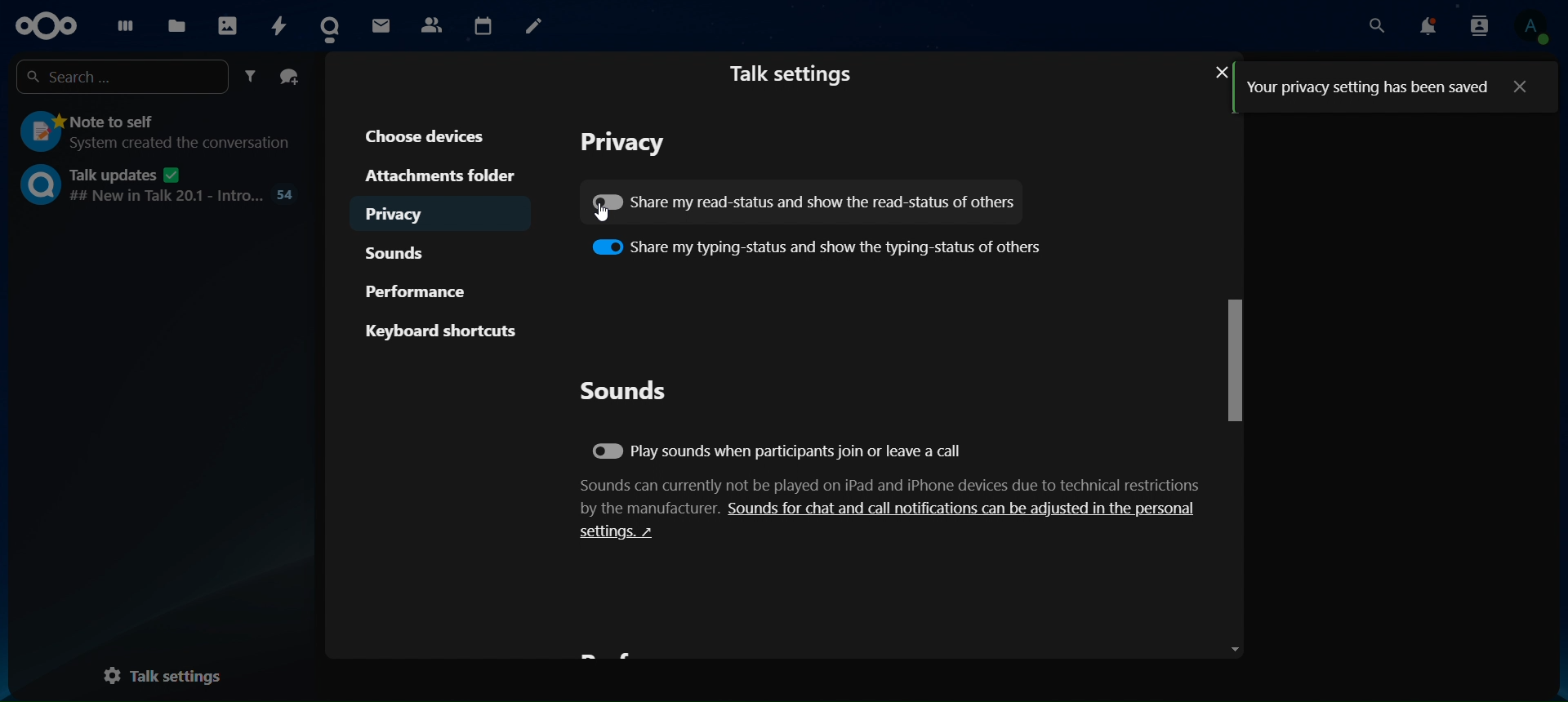 This screenshot has width=1568, height=702. Describe the element at coordinates (290, 77) in the screenshot. I see `create a group` at that location.